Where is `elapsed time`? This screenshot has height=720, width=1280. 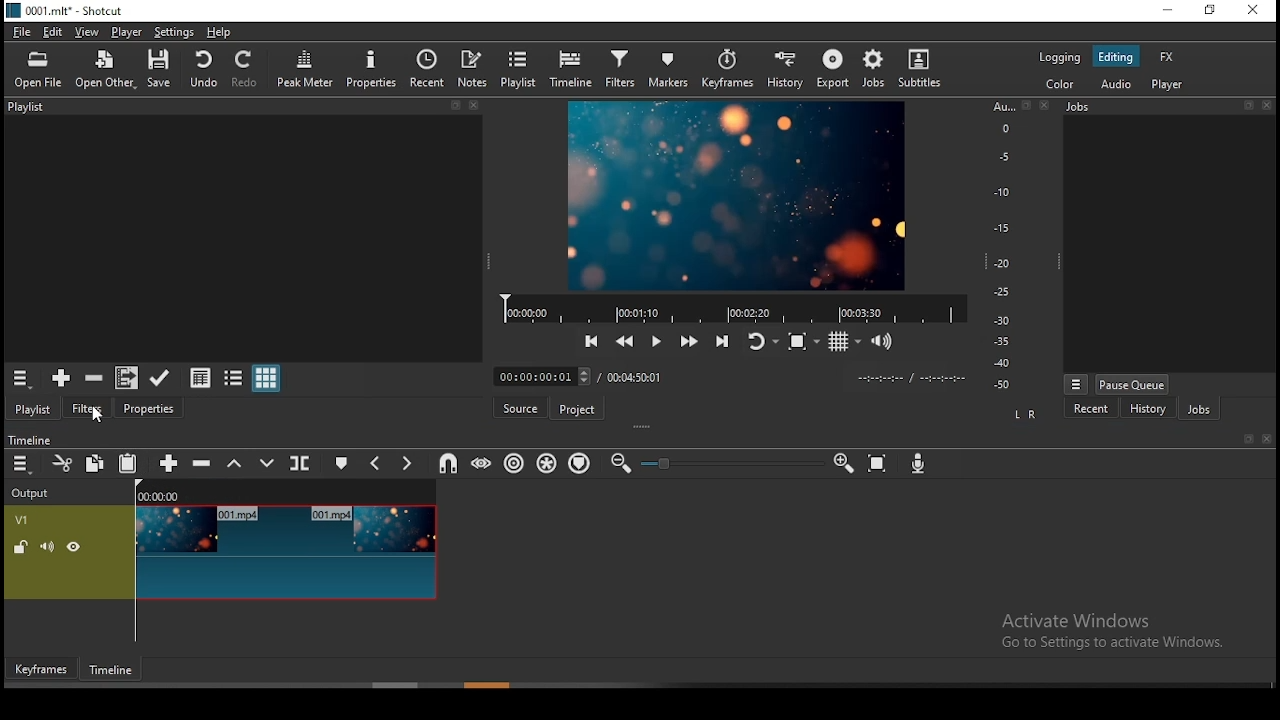
elapsed time is located at coordinates (543, 376).